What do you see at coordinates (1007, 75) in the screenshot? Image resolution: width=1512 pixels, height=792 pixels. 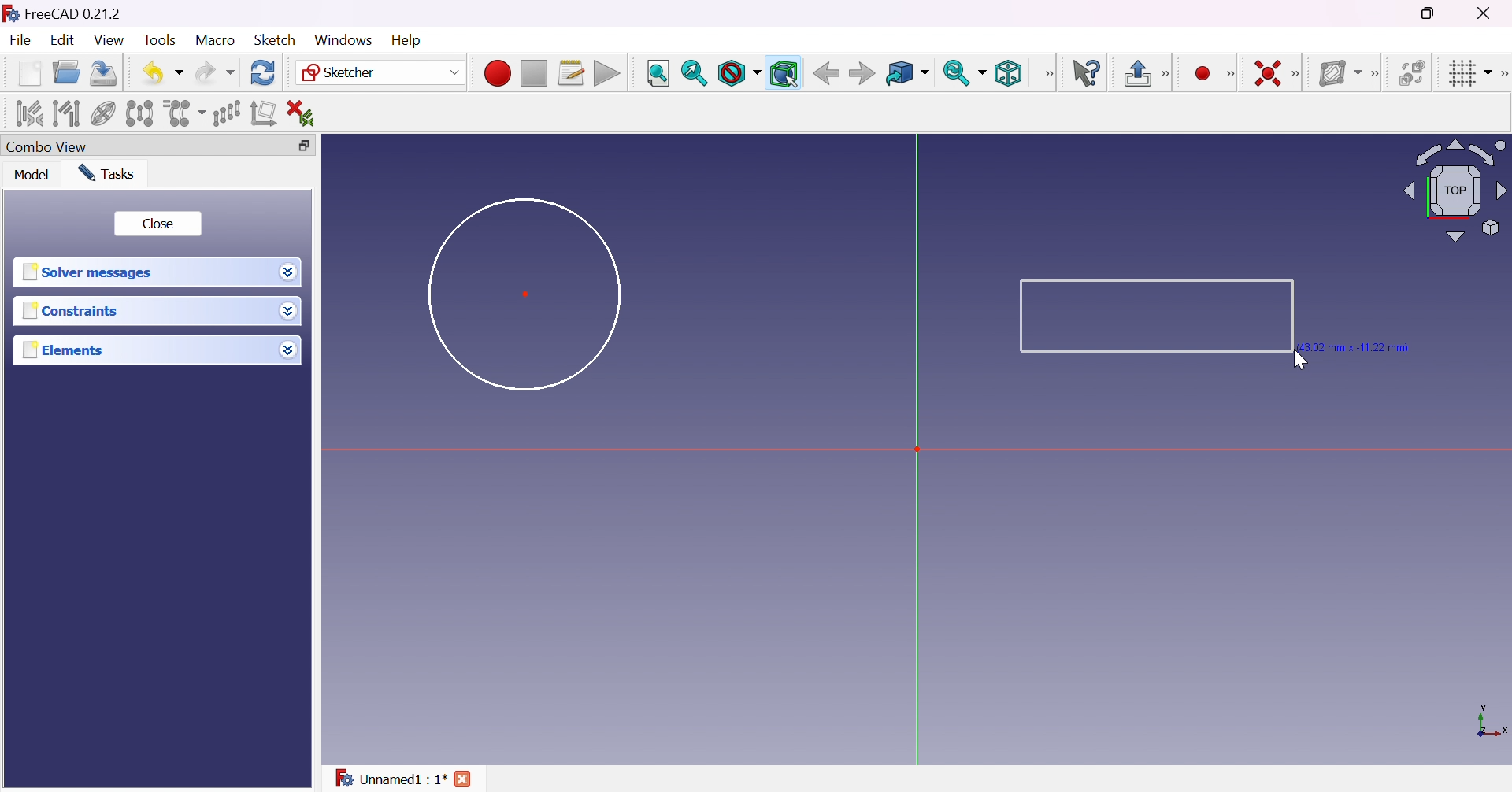 I see `Isometric` at bounding box center [1007, 75].